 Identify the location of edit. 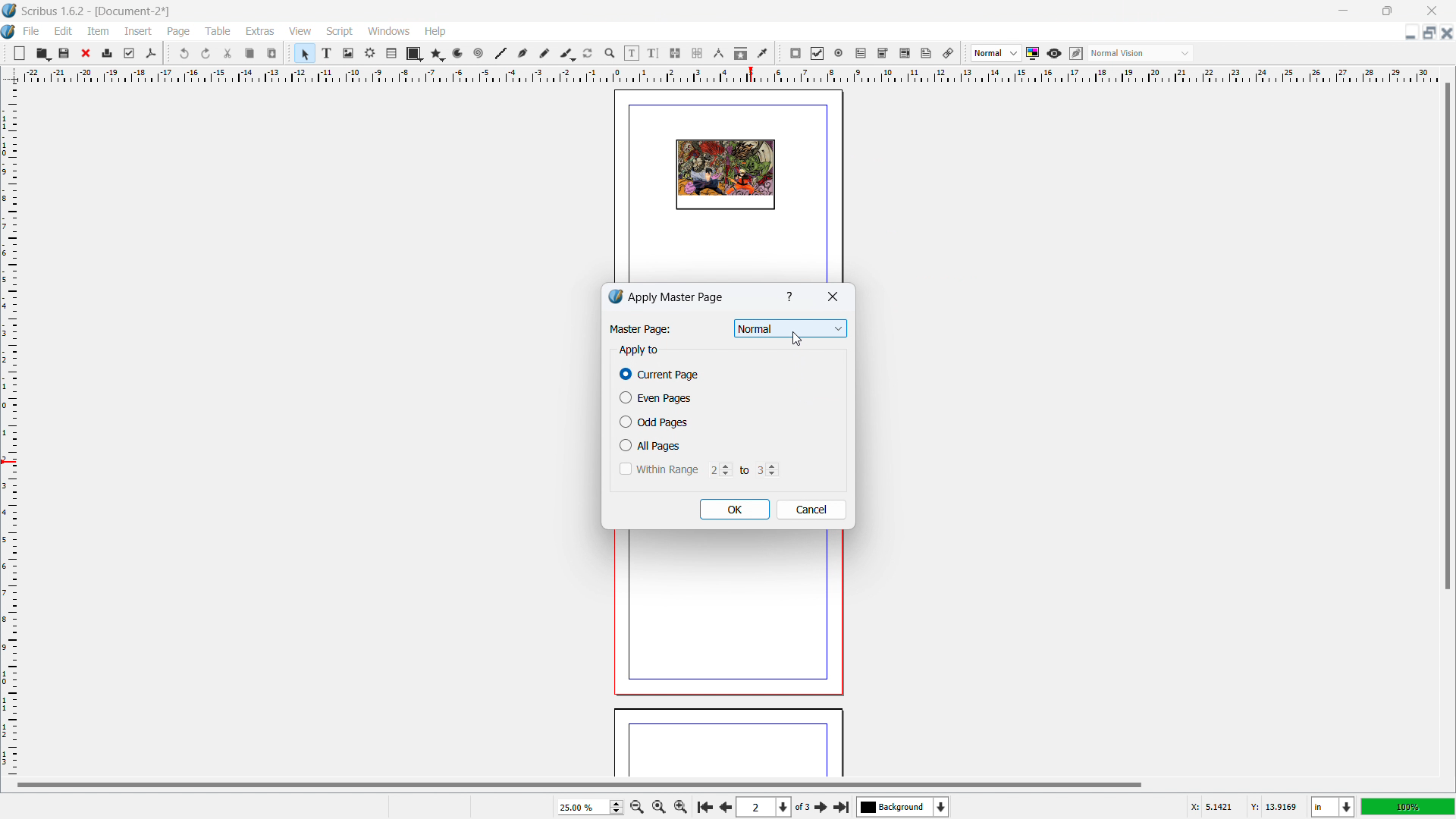
(64, 31).